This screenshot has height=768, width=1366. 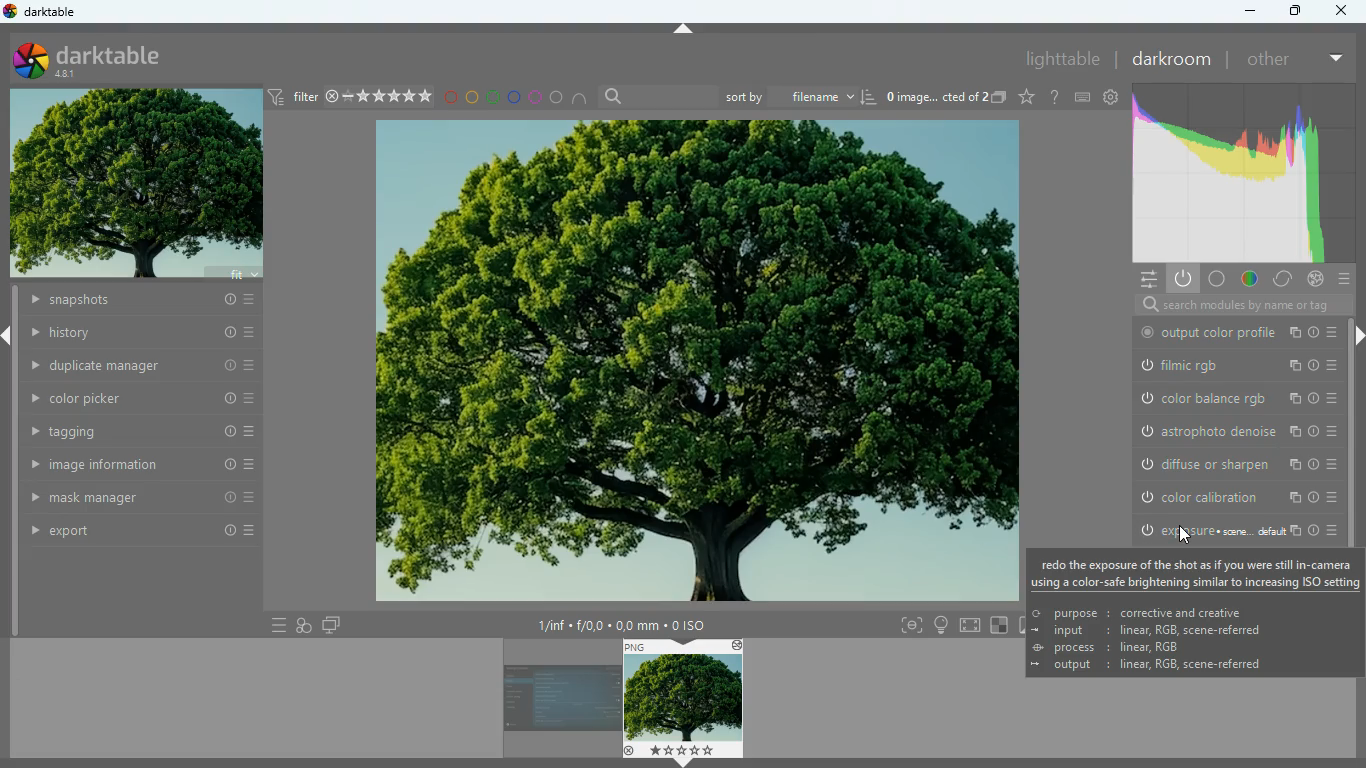 I want to click on blue, so click(x=513, y=98).